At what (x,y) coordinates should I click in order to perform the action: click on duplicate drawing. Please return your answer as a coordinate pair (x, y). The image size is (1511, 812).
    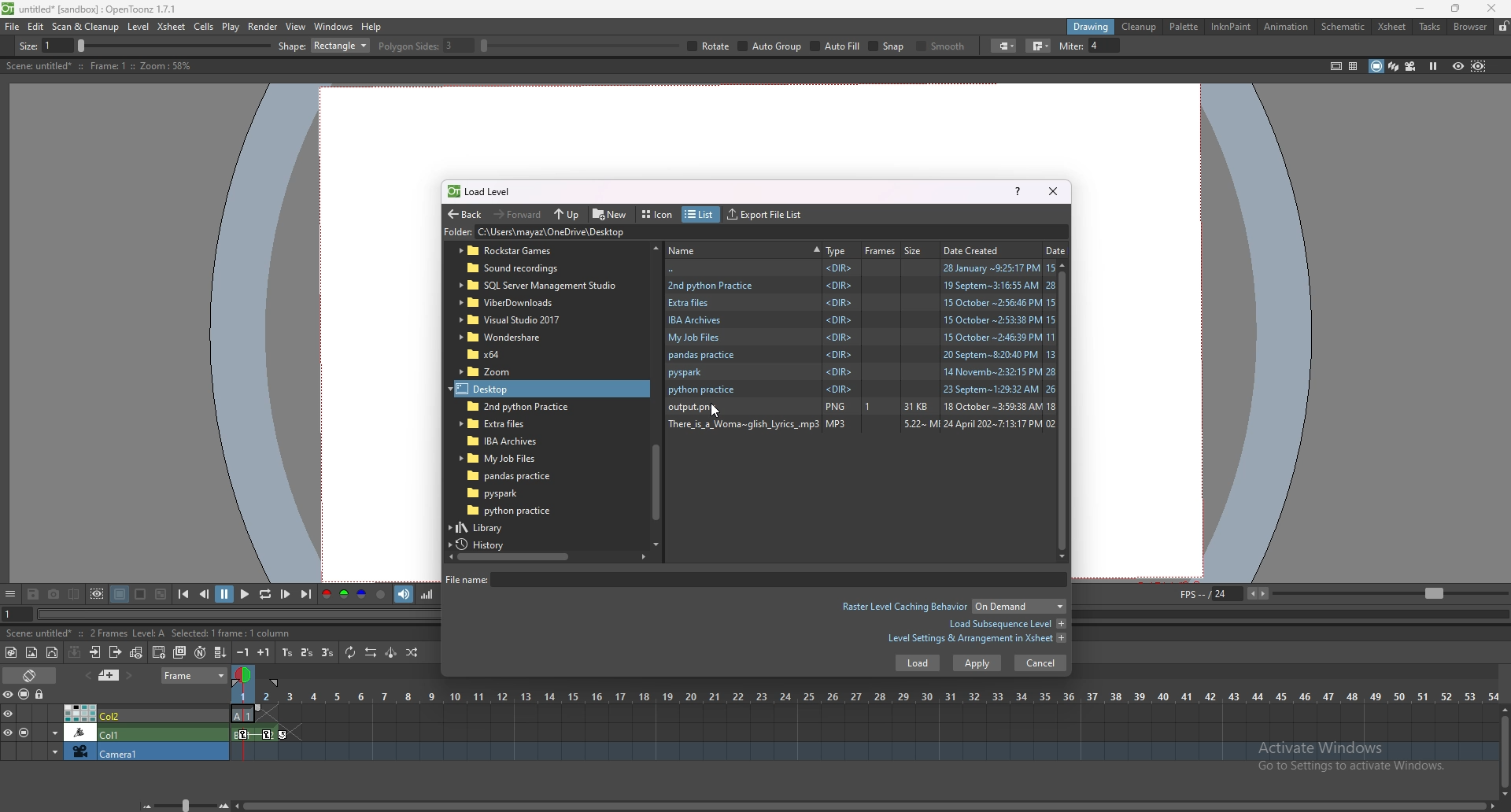
    Looking at the image, I should click on (181, 652).